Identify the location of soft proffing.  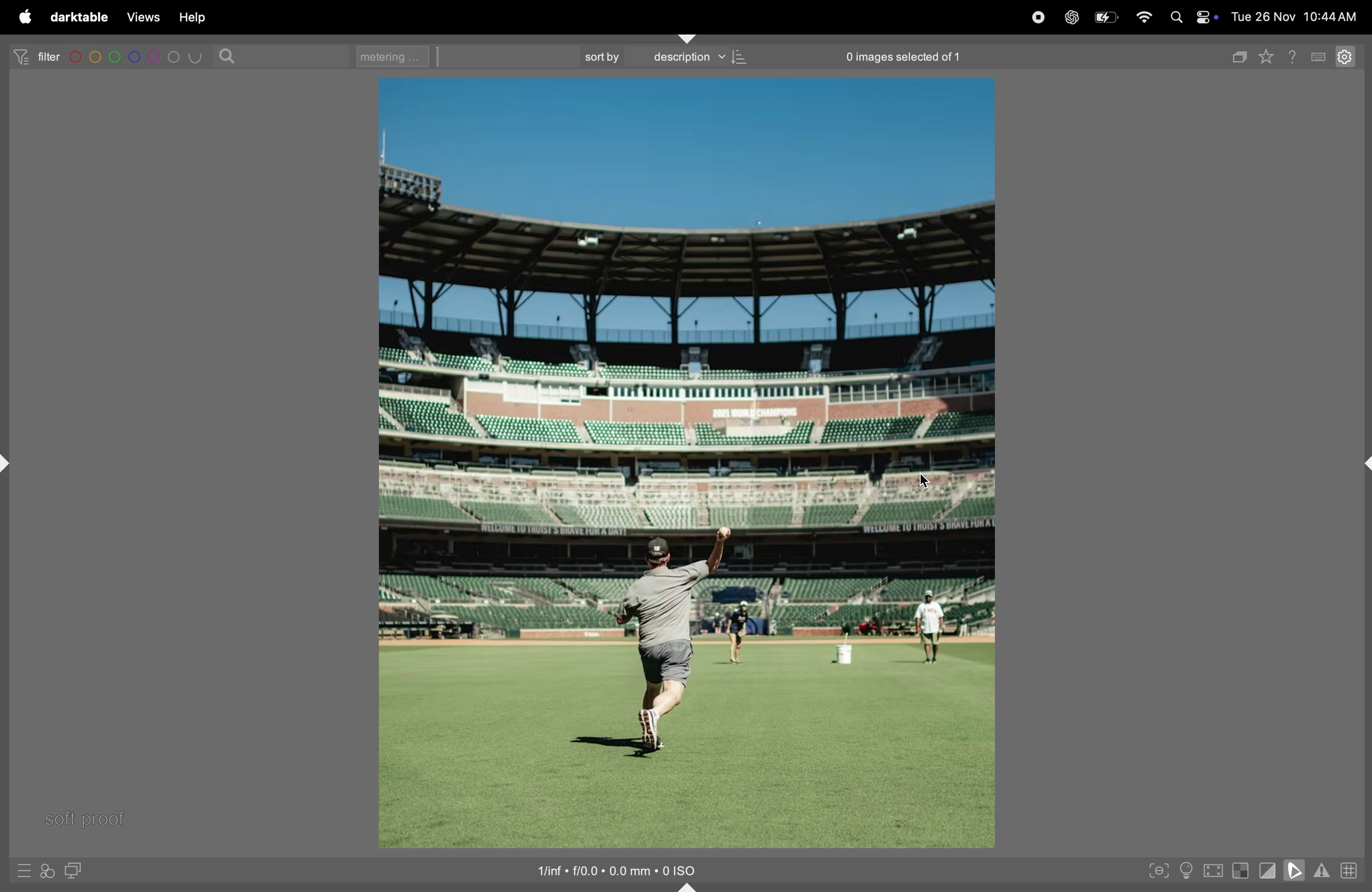
(1296, 869).